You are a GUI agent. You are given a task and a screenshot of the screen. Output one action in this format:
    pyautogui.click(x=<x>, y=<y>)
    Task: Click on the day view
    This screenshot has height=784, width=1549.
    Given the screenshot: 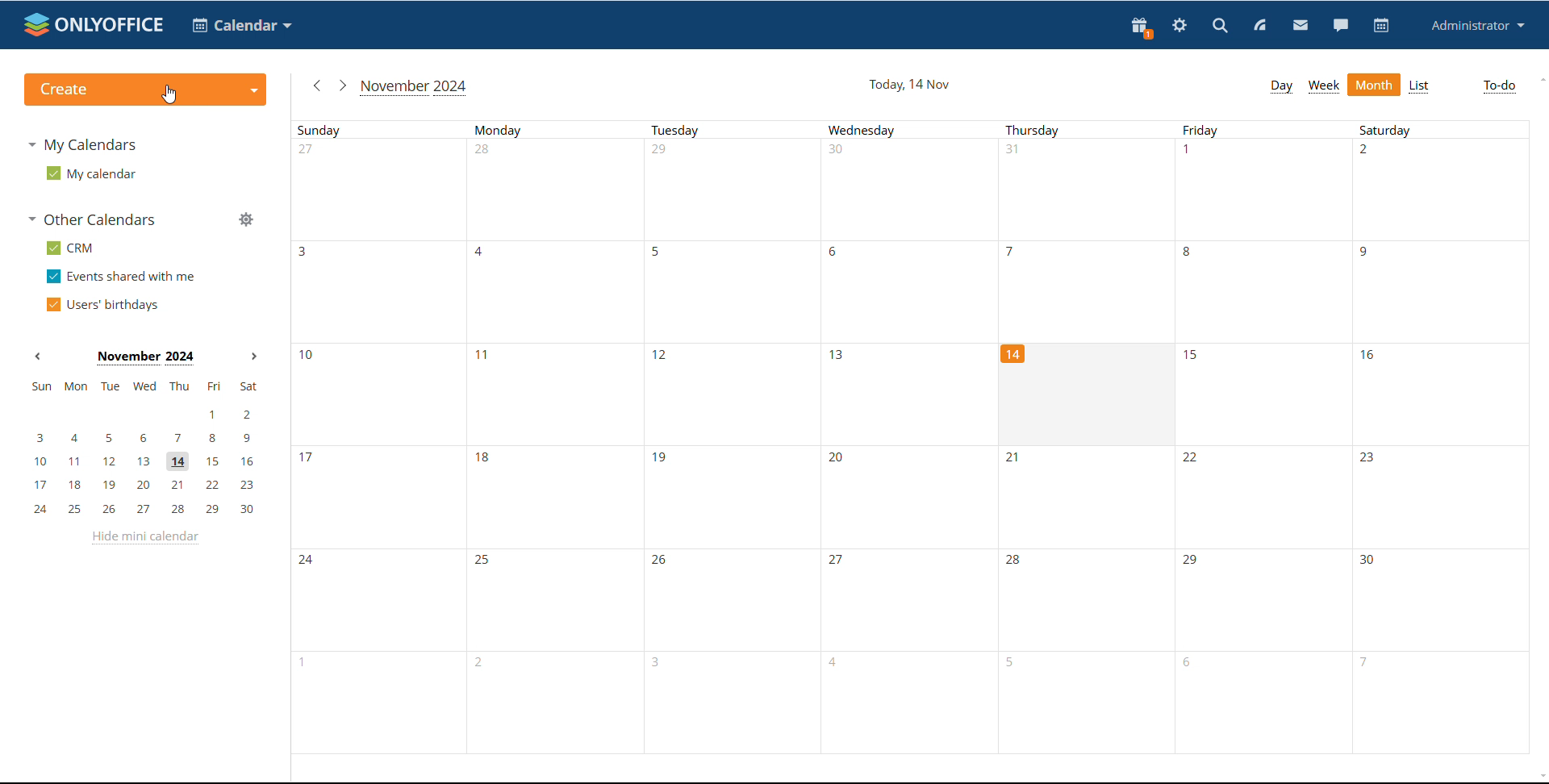 What is the action you would take?
    pyautogui.click(x=1281, y=87)
    